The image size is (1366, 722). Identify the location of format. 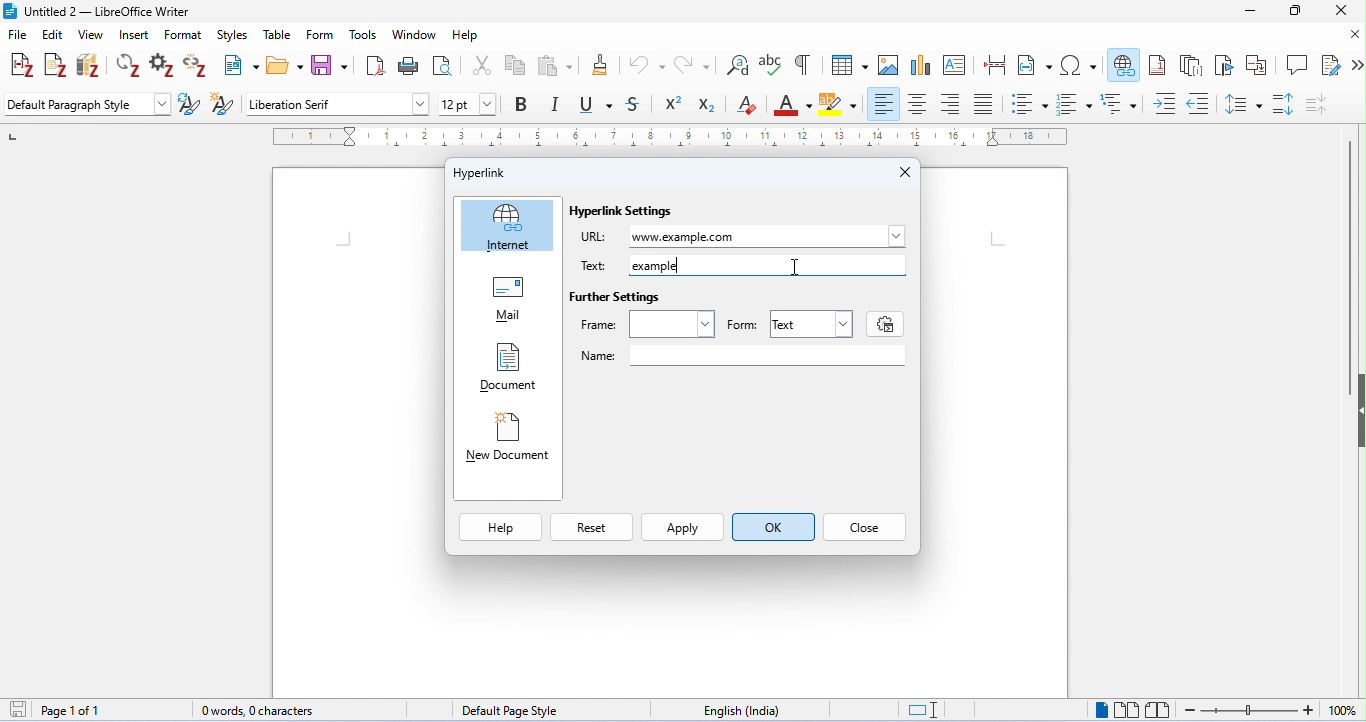
(185, 35).